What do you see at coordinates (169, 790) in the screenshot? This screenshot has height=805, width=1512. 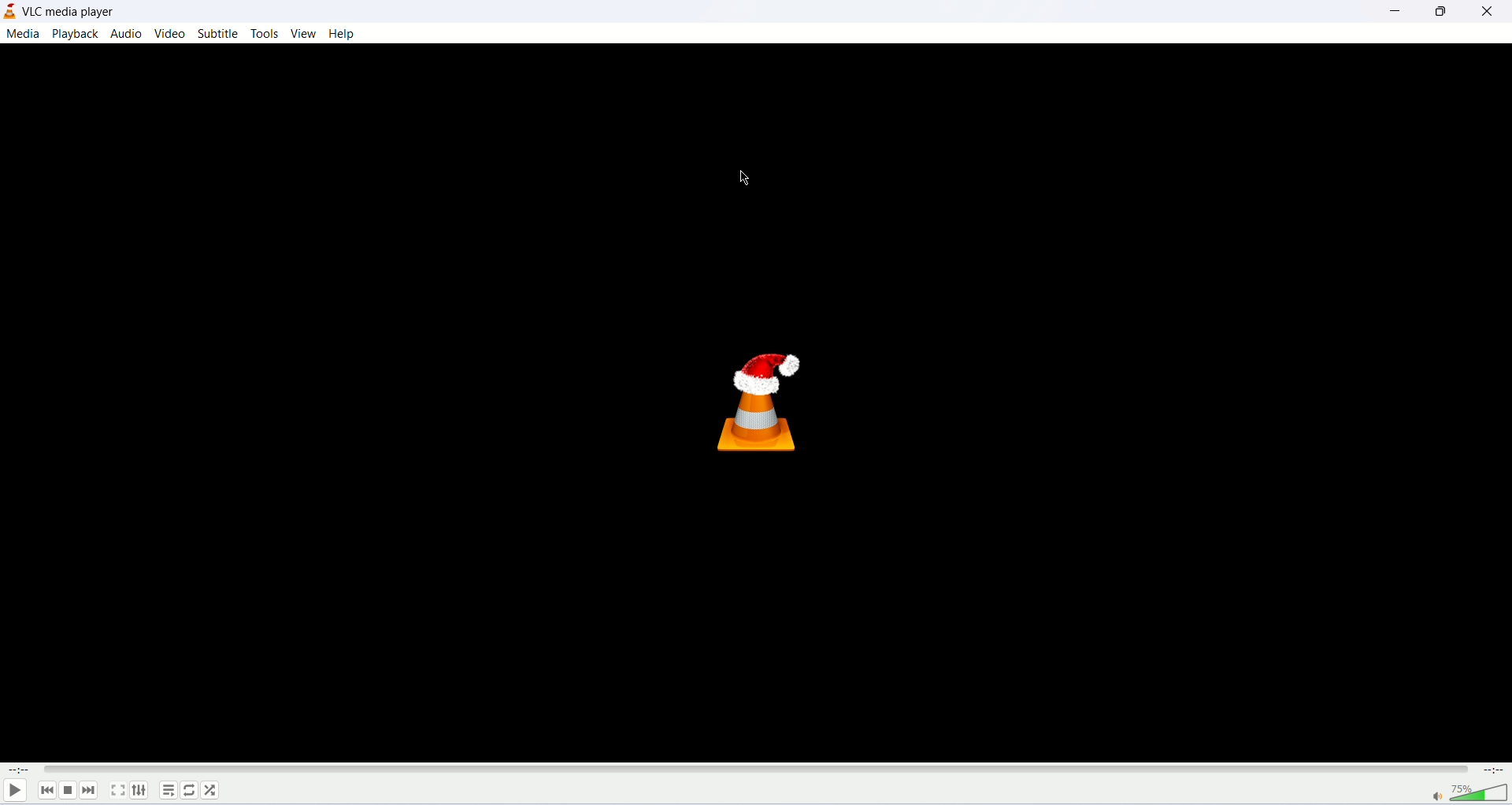 I see `playlist` at bounding box center [169, 790].